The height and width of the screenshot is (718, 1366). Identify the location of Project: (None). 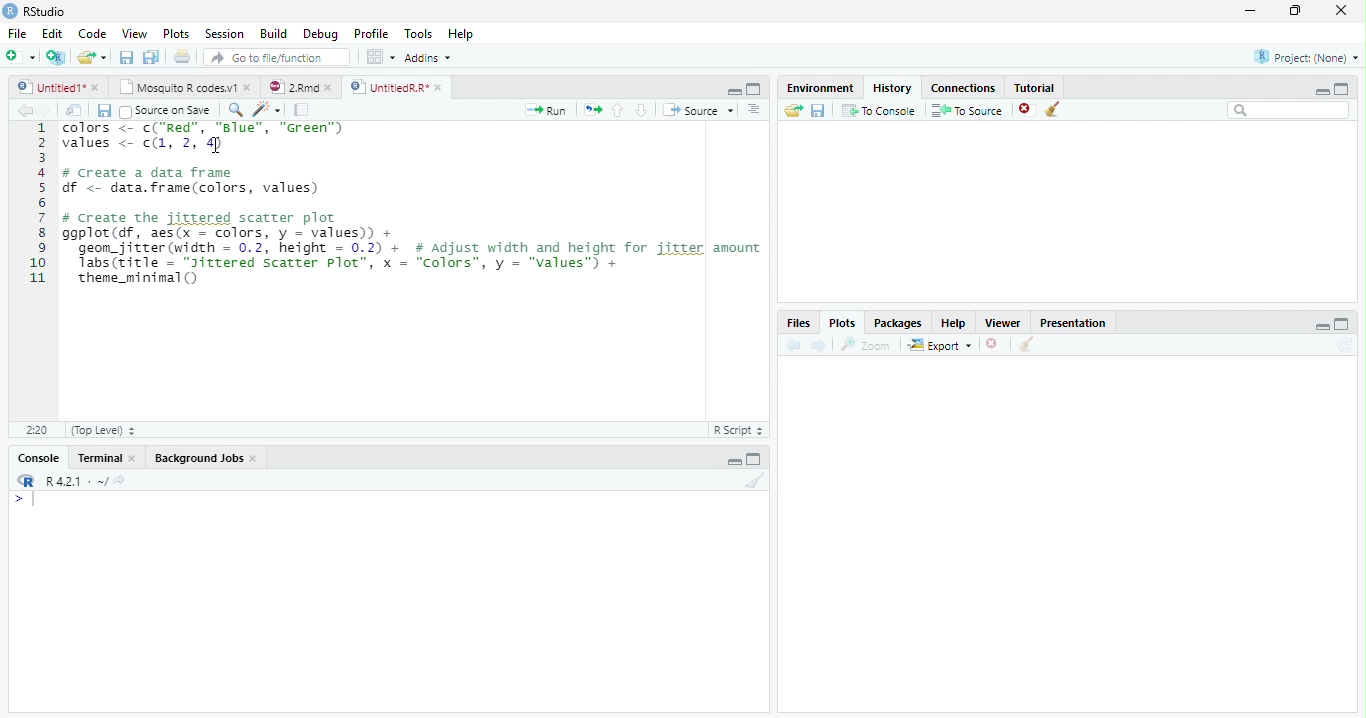
(1306, 57).